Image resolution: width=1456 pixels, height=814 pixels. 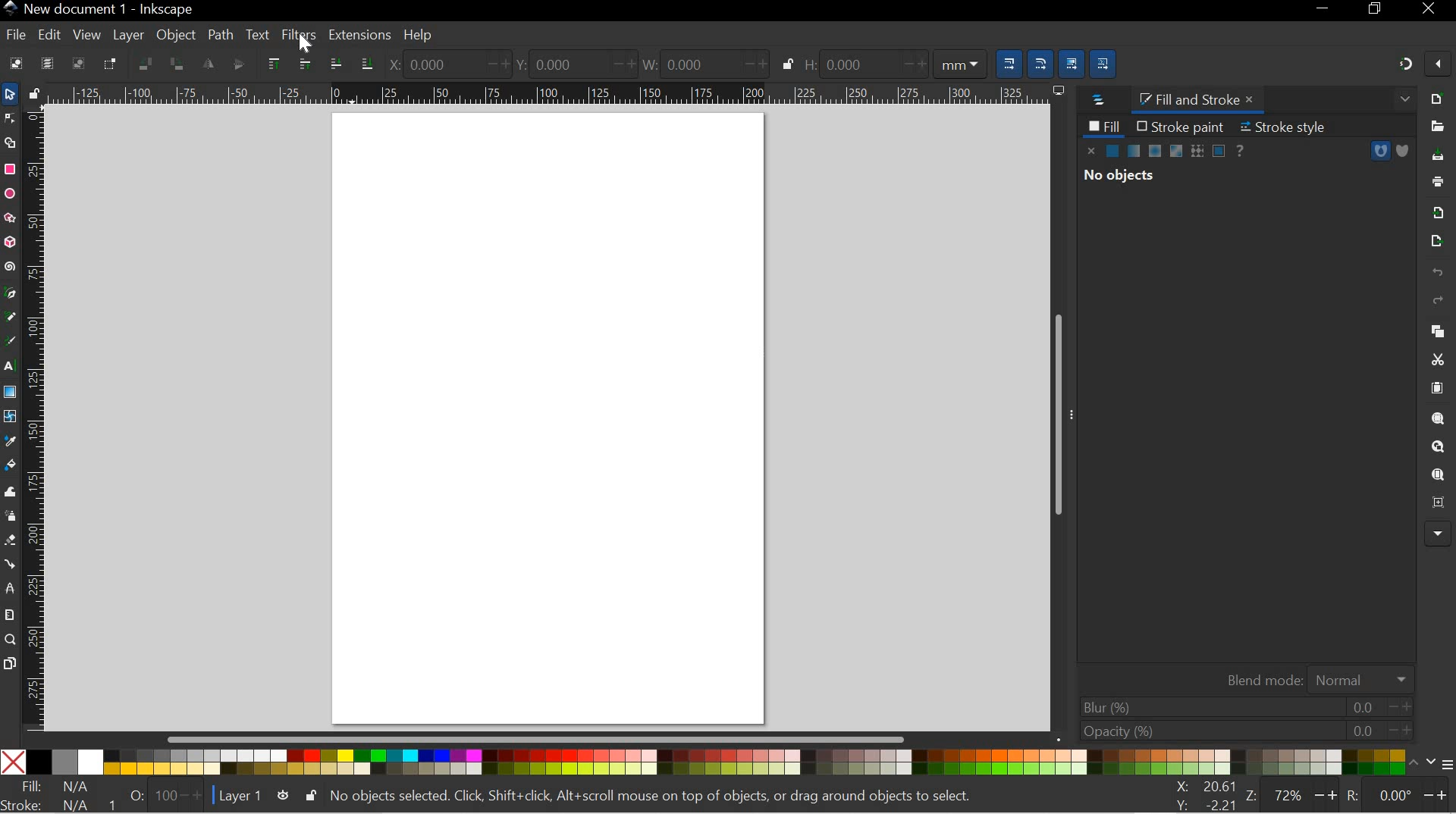 What do you see at coordinates (1377, 11) in the screenshot?
I see `RESTORE DOWN` at bounding box center [1377, 11].